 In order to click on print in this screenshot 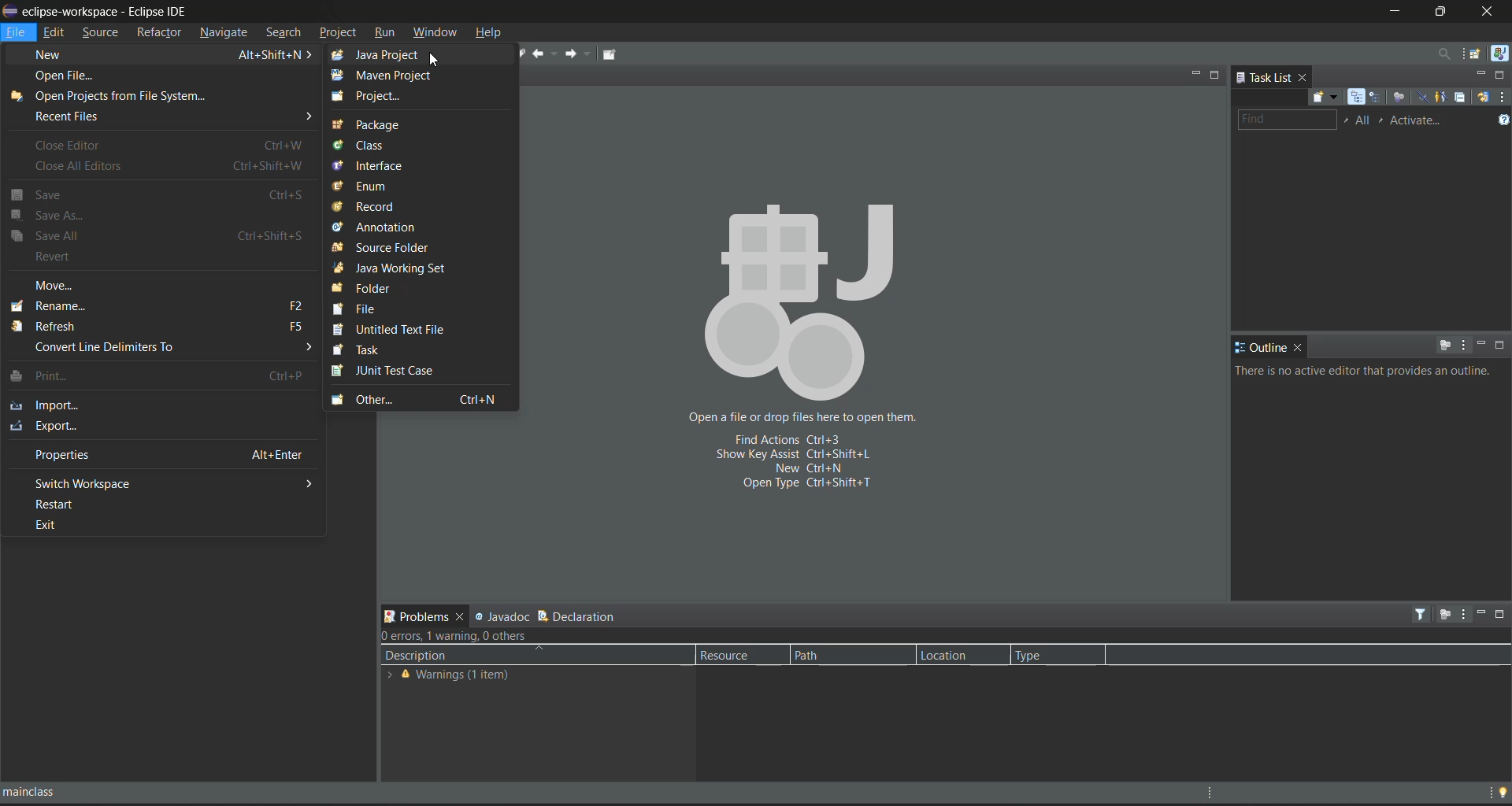, I will do `click(164, 374)`.